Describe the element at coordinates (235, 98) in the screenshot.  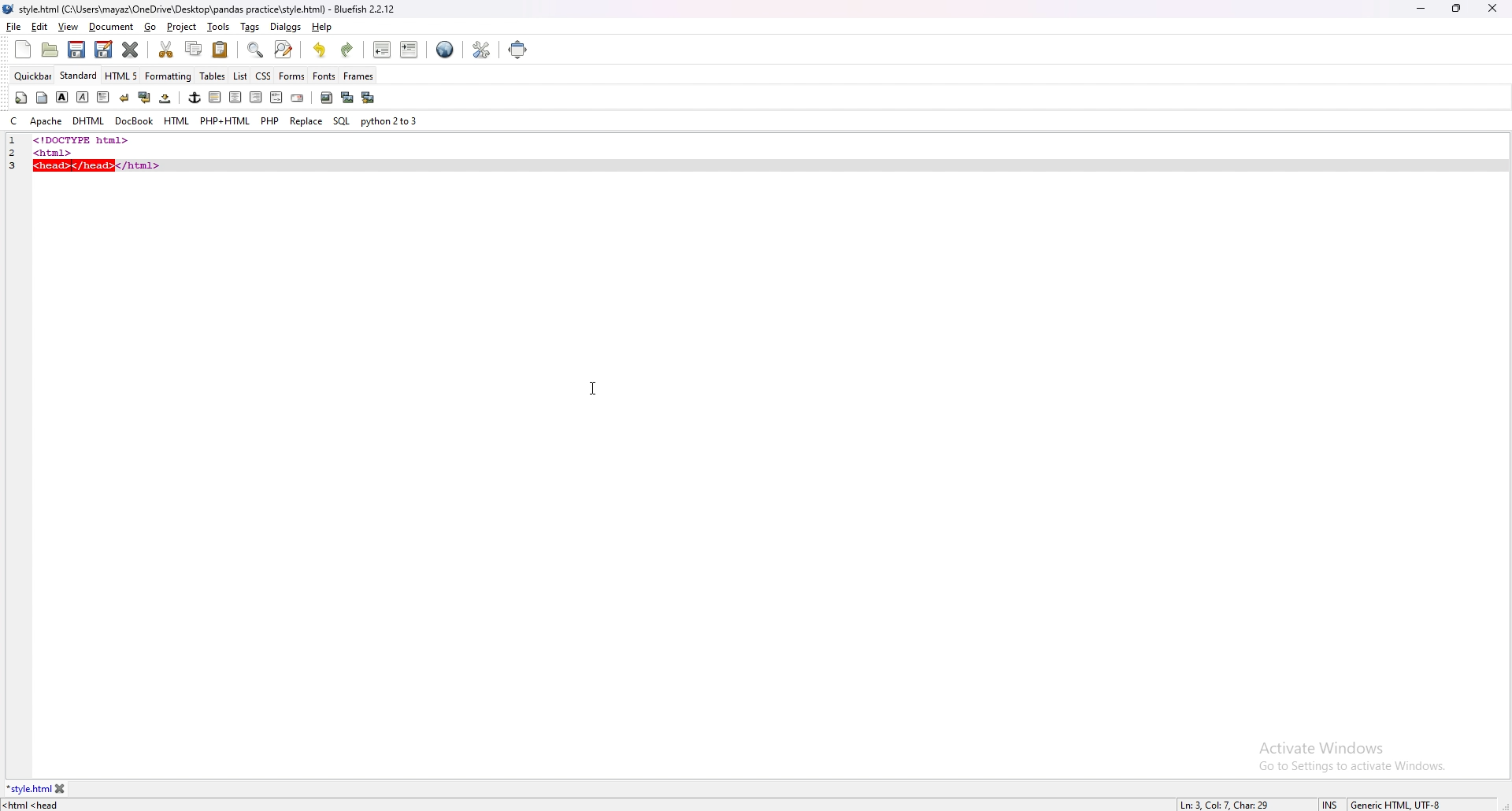
I see `center` at that location.